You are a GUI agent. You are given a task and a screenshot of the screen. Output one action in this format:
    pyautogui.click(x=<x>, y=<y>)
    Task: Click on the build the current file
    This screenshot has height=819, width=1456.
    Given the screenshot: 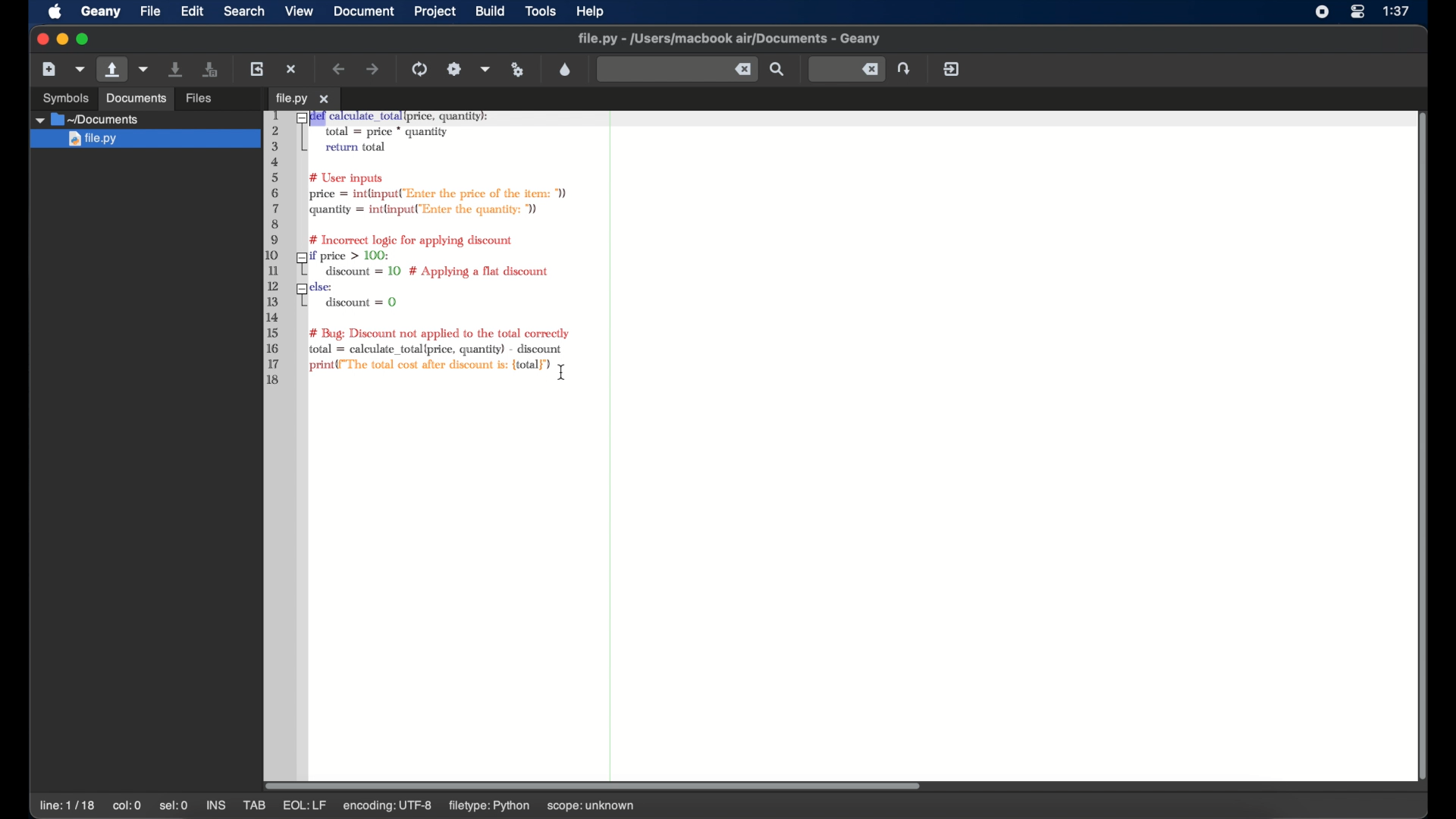 What is the action you would take?
    pyautogui.click(x=455, y=68)
    